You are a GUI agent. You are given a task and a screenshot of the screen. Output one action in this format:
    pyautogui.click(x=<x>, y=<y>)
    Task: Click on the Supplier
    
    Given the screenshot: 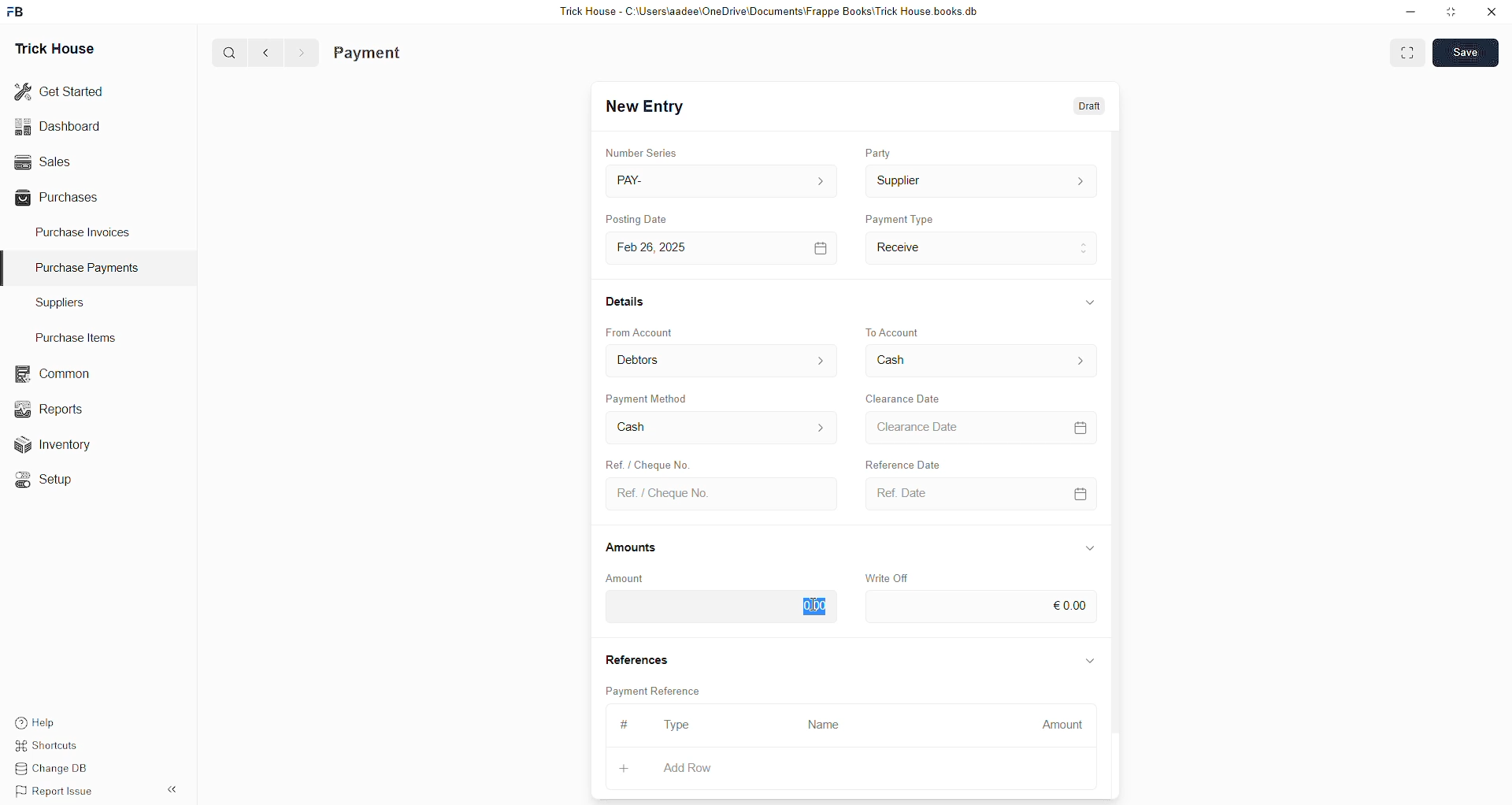 What is the action you would take?
    pyautogui.click(x=980, y=182)
    